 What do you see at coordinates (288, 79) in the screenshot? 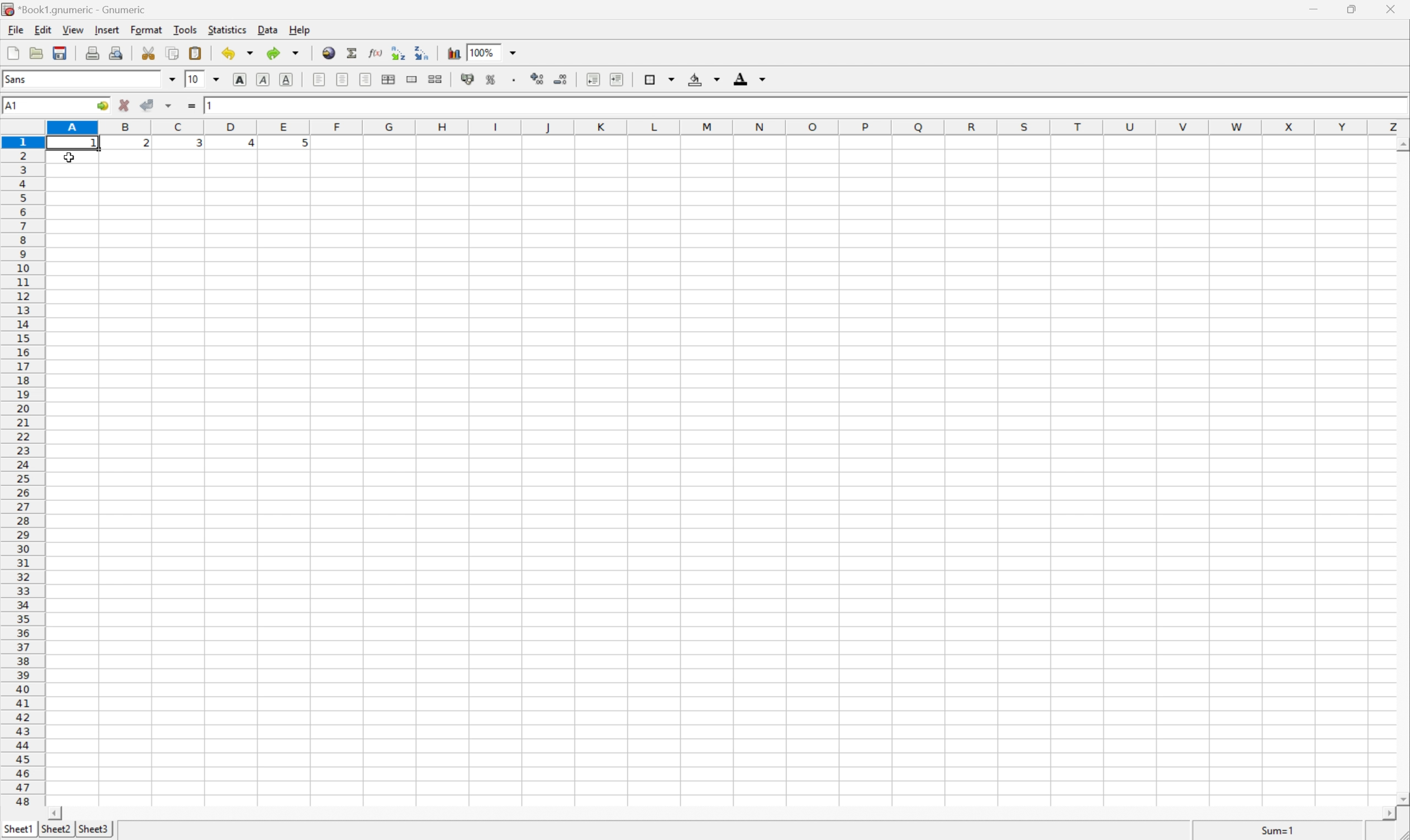
I see `underline` at bounding box center [288, 79].